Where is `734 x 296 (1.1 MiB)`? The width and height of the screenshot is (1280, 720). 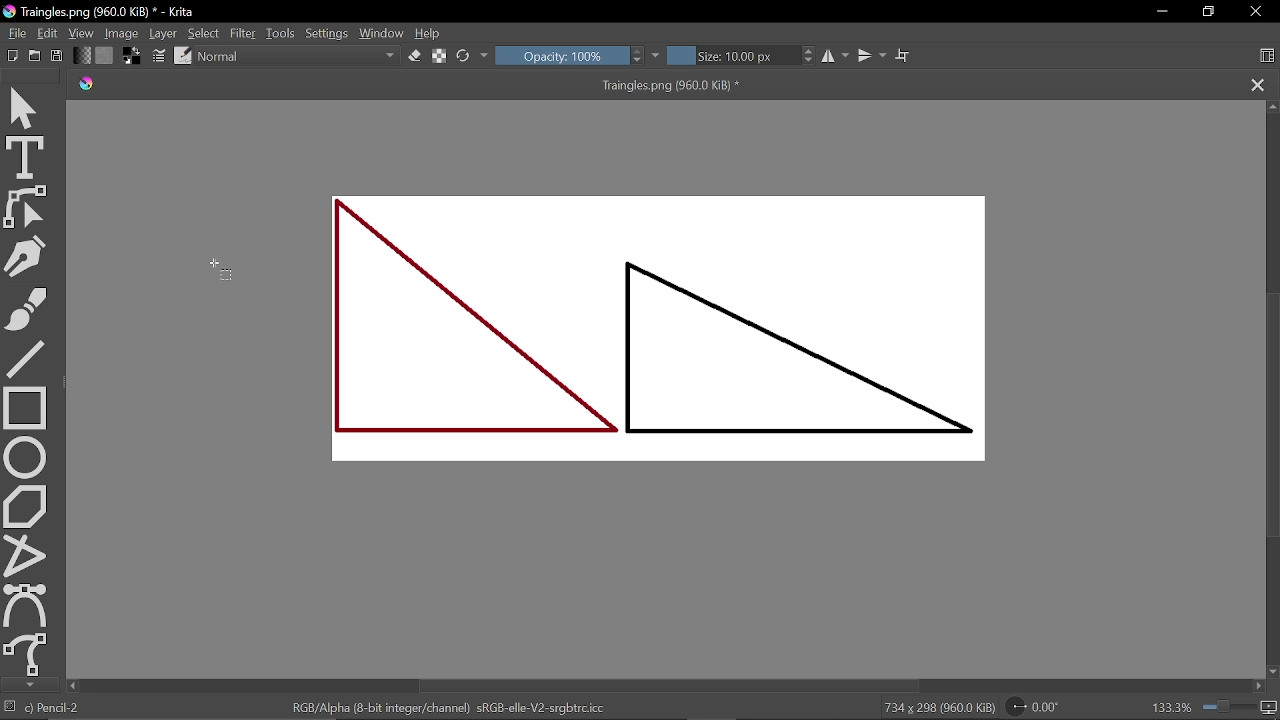
734 x 296 (1.1 MiB) is located at coordinates (940, 707).